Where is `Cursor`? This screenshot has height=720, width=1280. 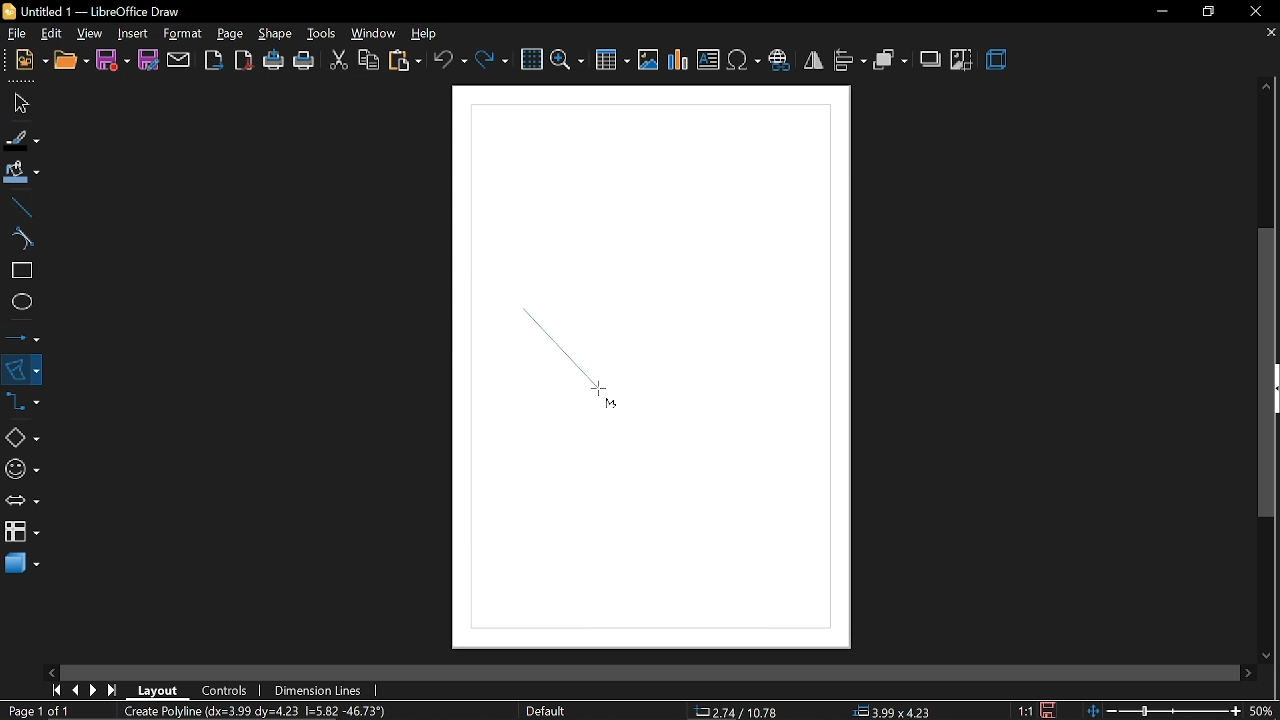
Cursor is located at coordinates (600, 395).